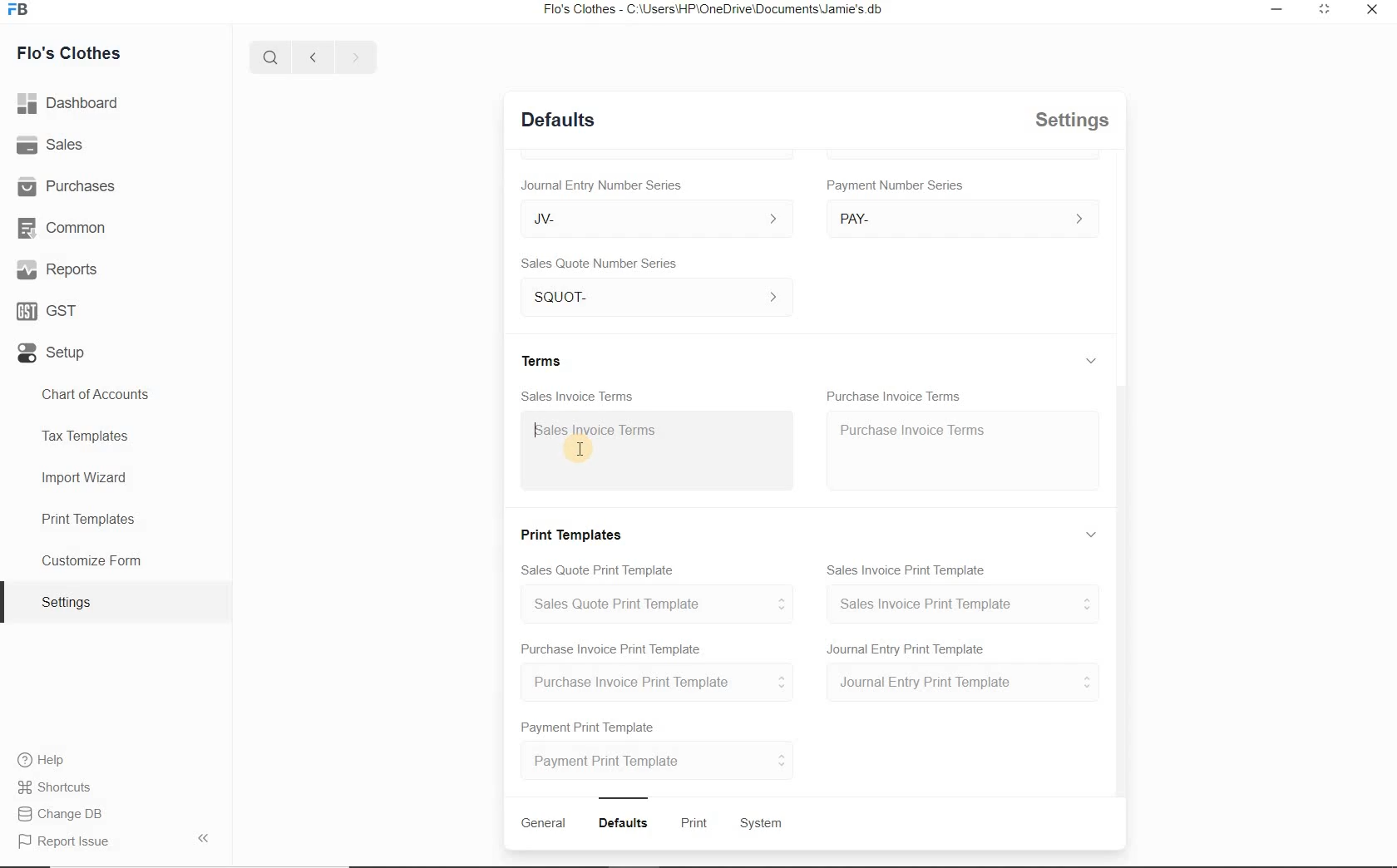  What do you see at coordinates (1074, 120) in the screenshot?
I see `Settings` at bounding box center [1074, 120].